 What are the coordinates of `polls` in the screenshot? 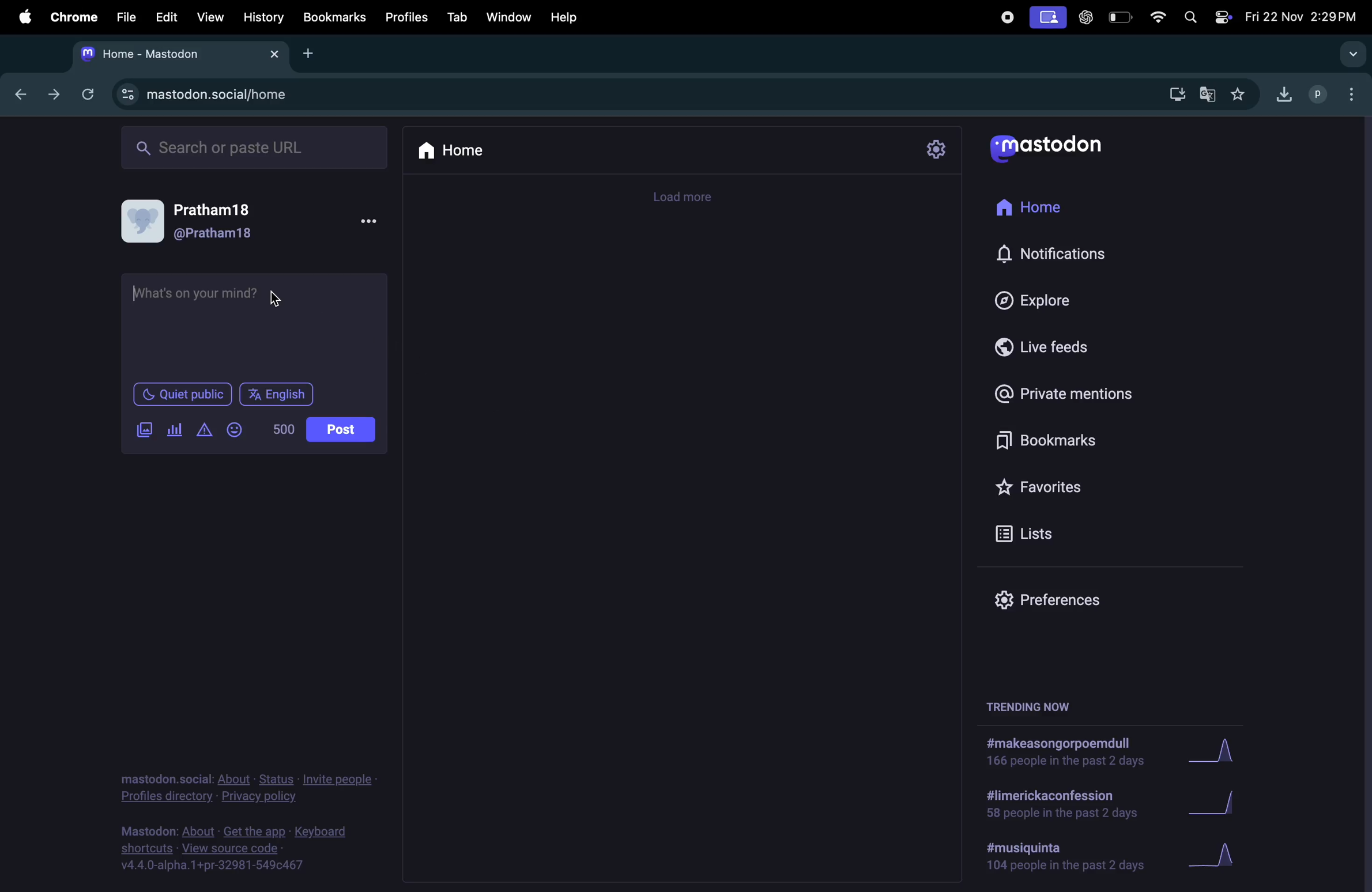 It's located at (174, 429).